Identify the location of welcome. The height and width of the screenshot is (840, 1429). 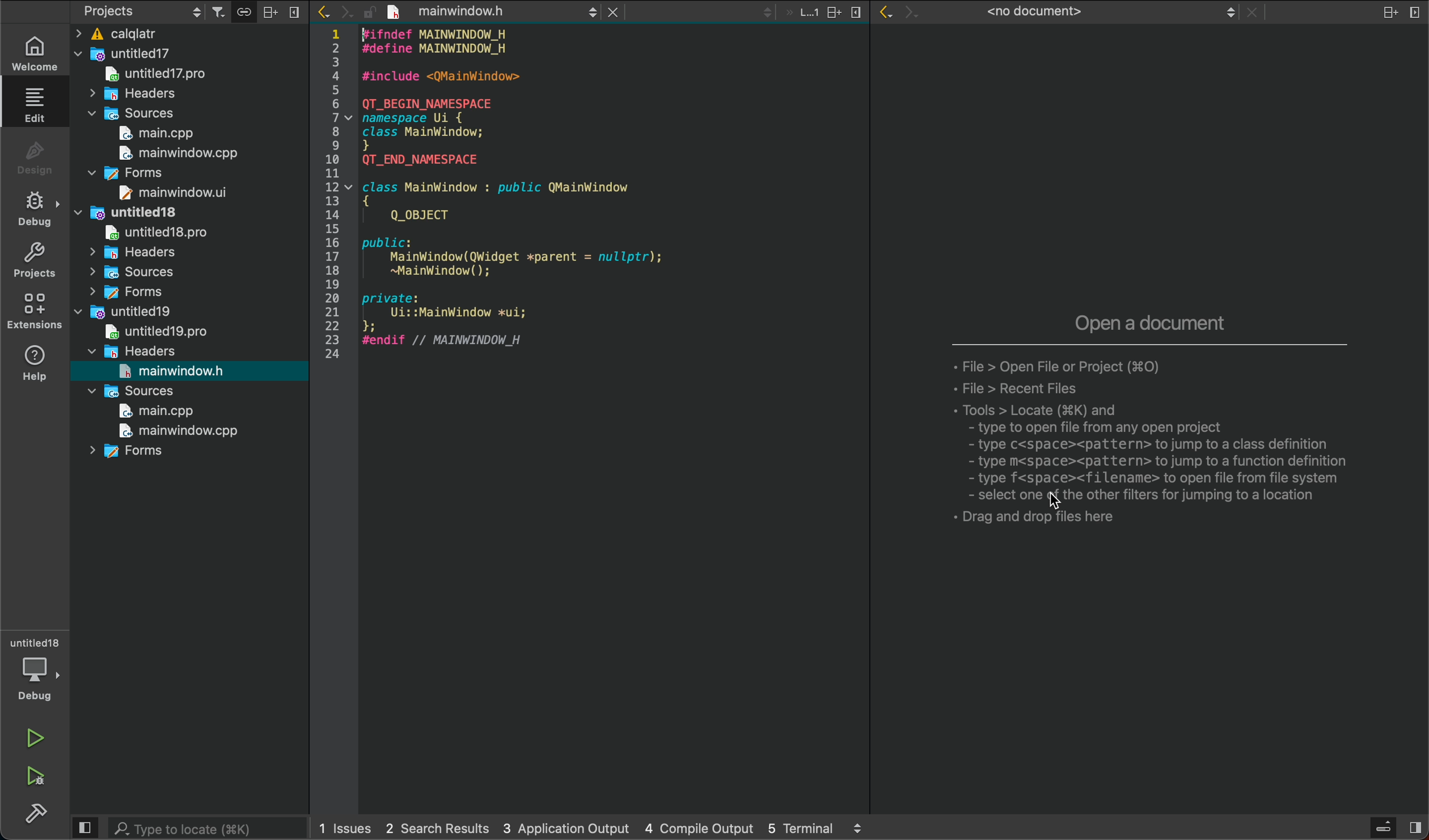
(33, 54).